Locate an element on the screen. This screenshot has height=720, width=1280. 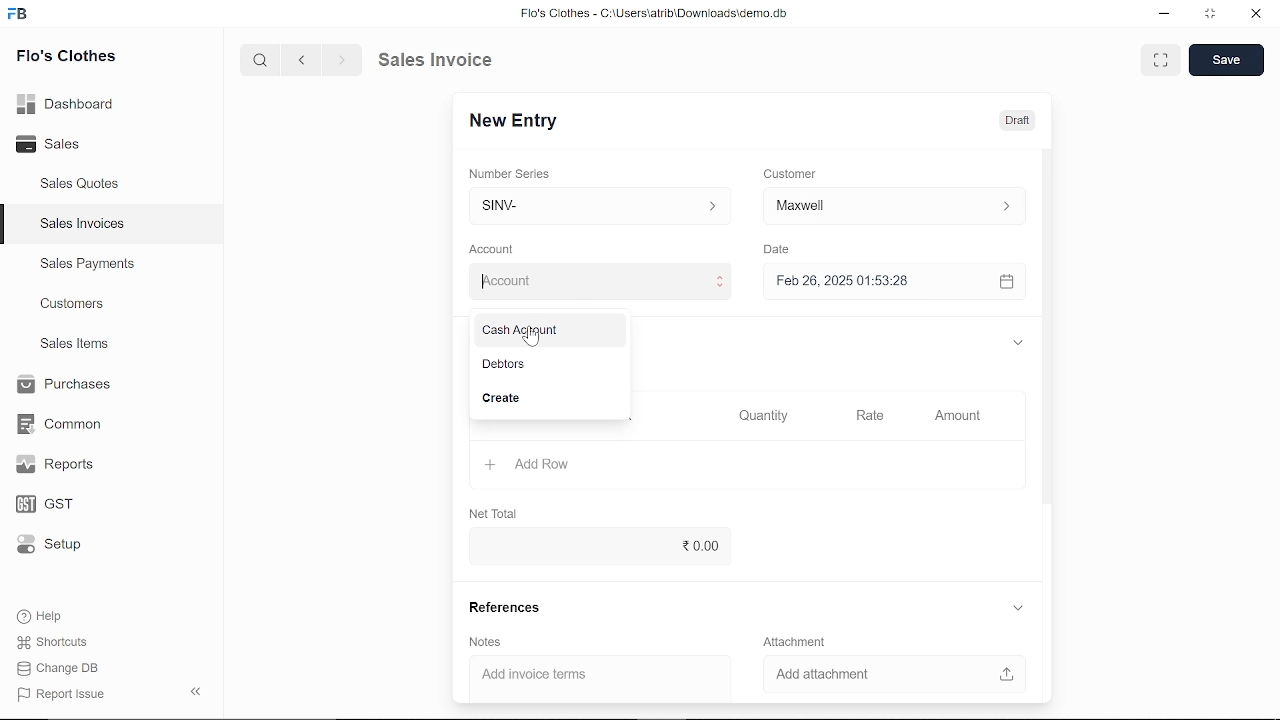
Flo's Clothes - C:\UsersatribiDownloads\demo.do is located at coordinates (662, 15).